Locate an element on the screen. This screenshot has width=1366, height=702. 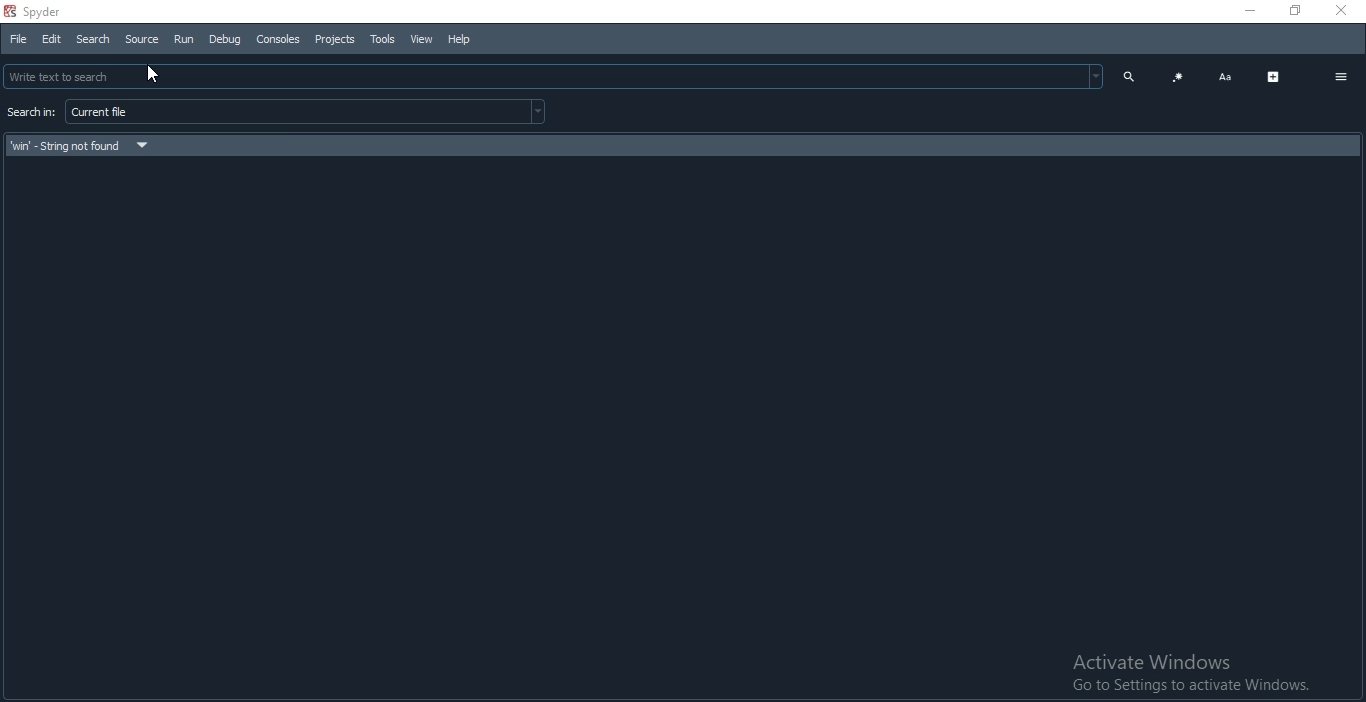
Help is located at coordinates (458, 40).